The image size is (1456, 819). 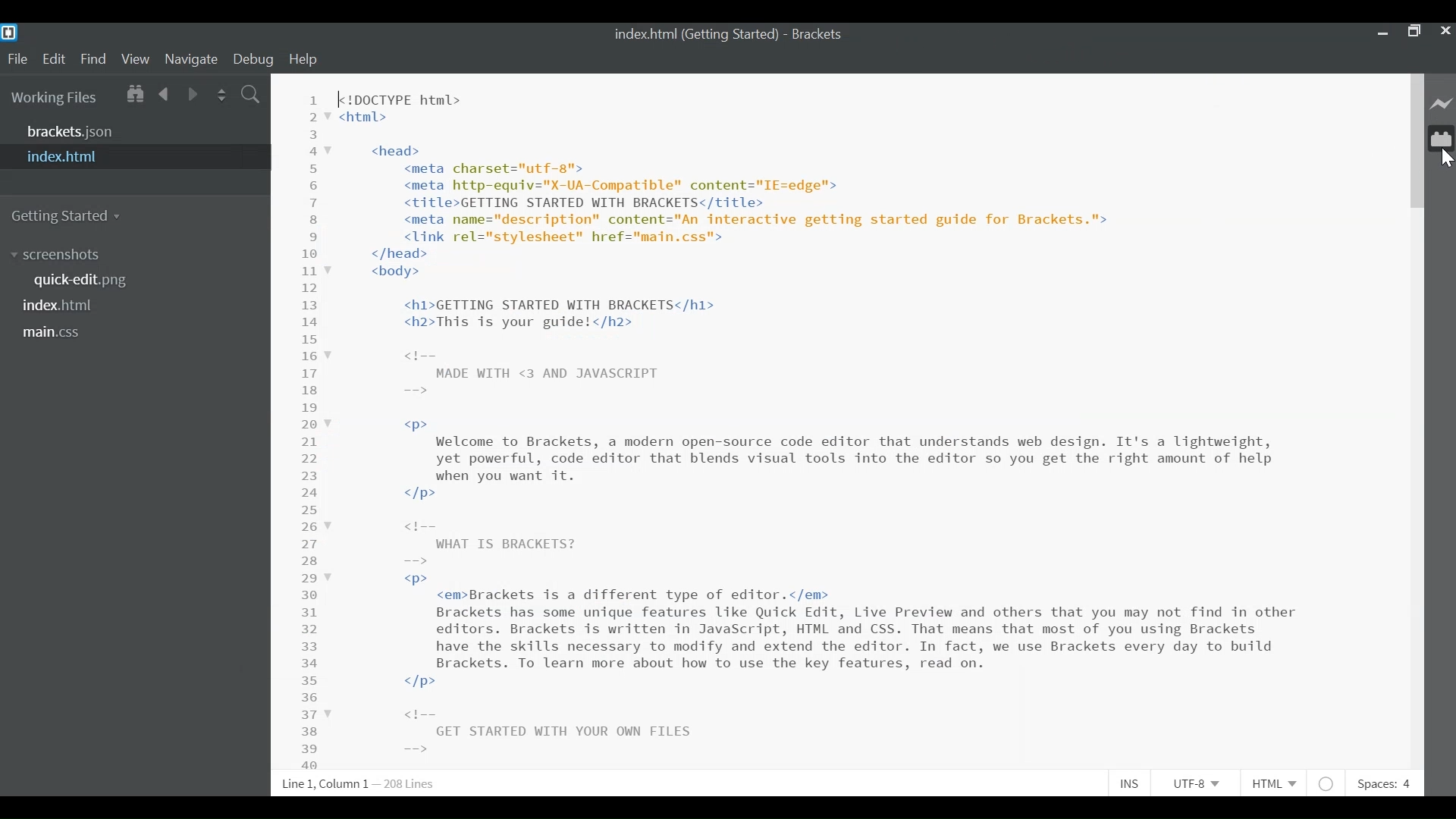 I want to click on Help, so click(x=303, y=60).